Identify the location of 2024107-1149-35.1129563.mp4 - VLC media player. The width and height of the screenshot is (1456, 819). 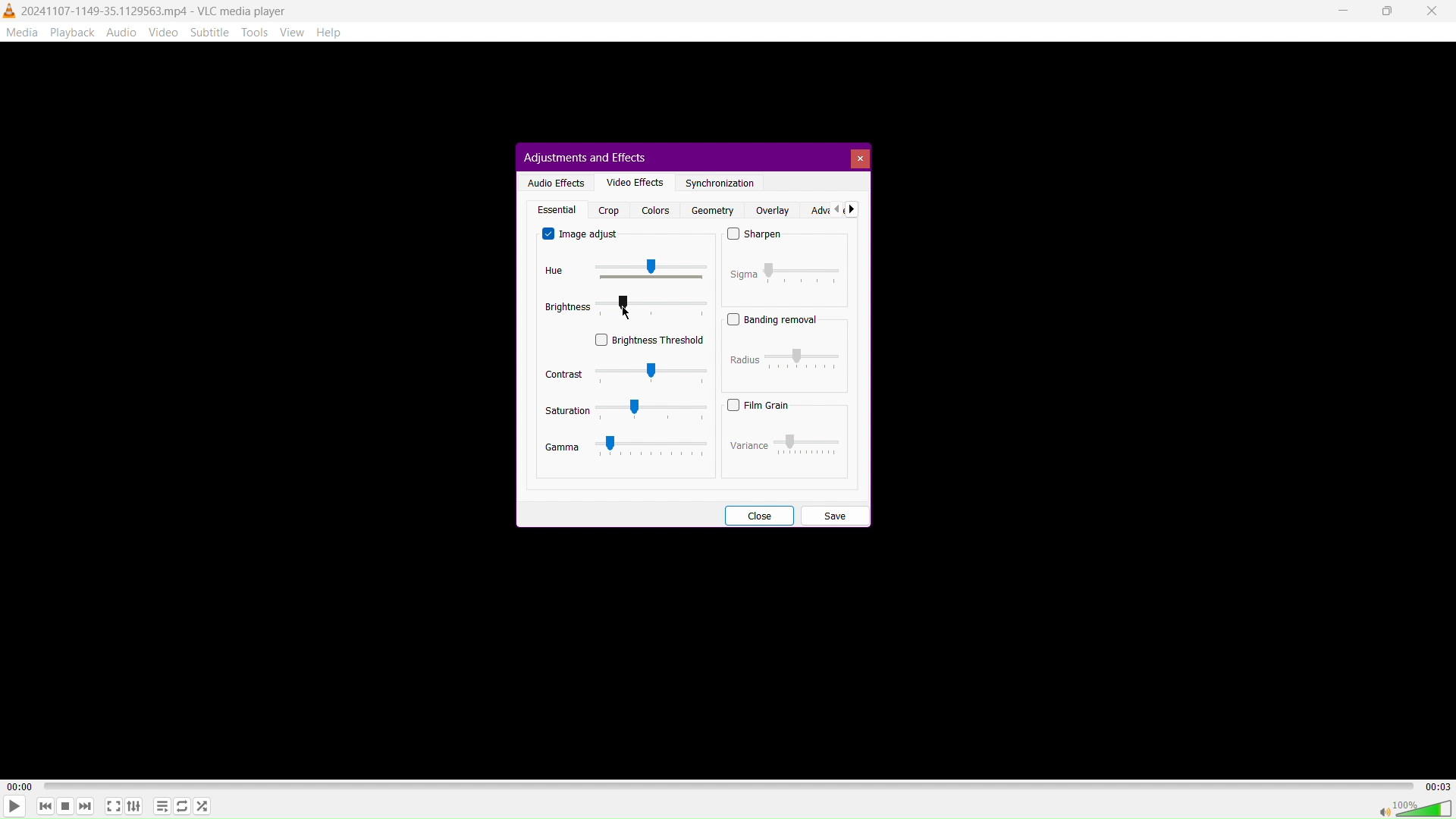
(146, 9).